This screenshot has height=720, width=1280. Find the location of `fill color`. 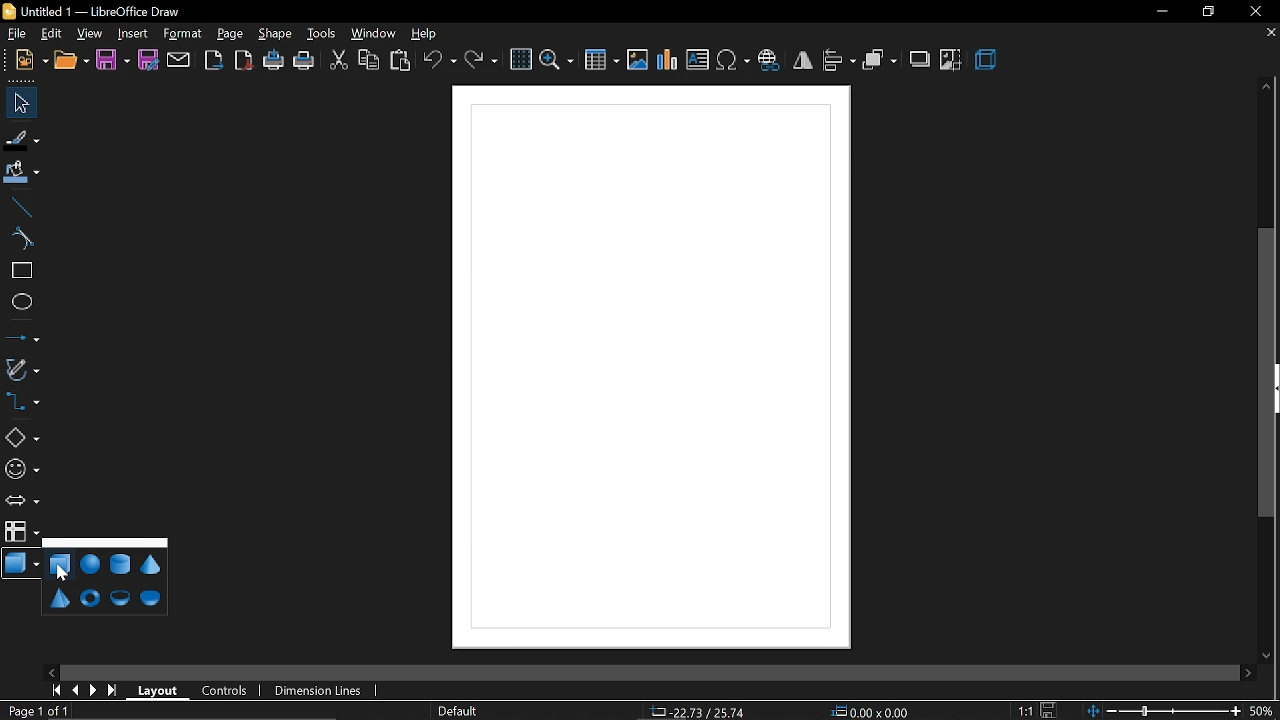

fill color is located at coordinates (21, 174).